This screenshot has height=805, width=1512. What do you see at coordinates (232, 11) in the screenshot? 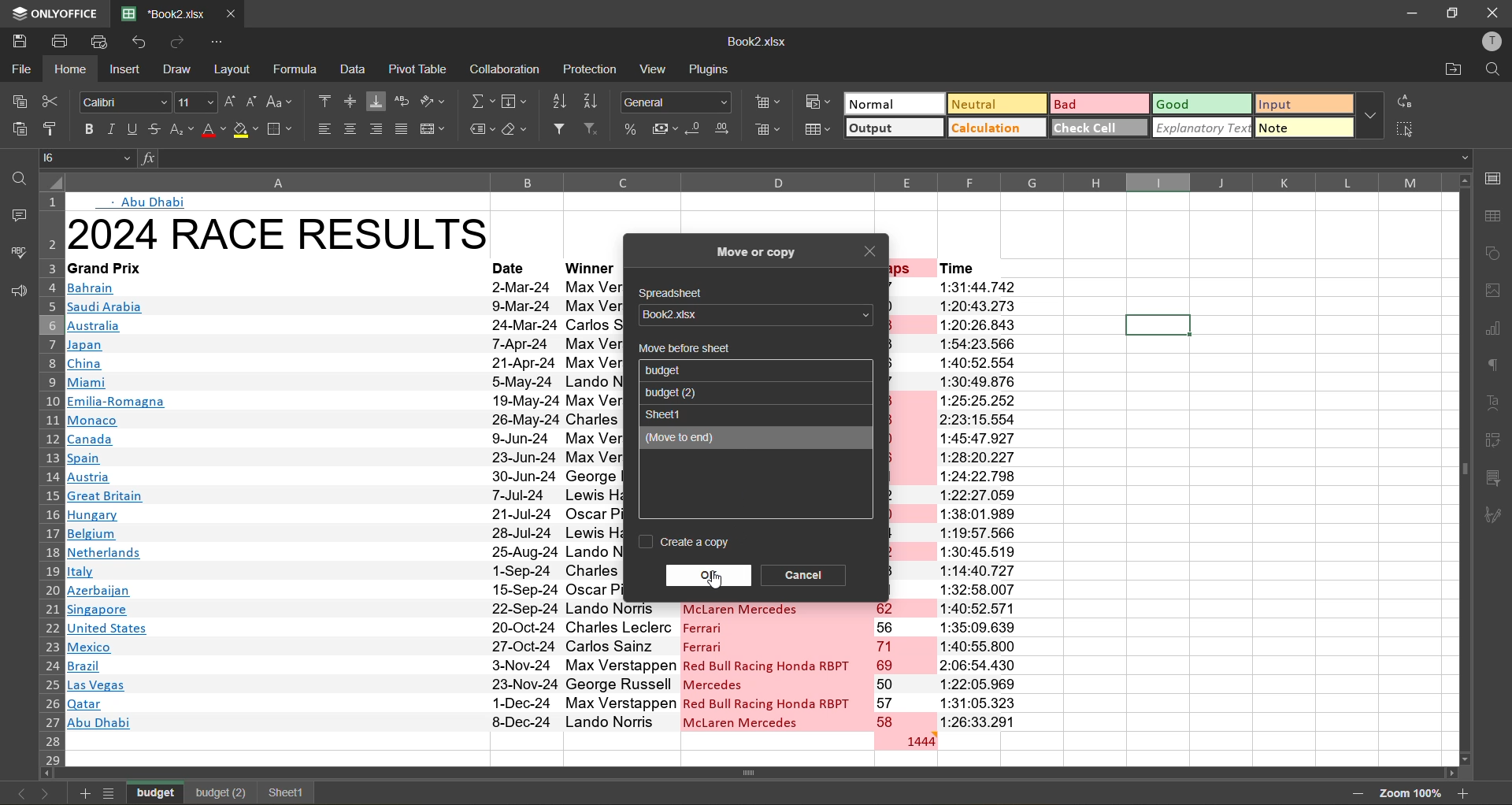
I see `close tab` at bounding box center [232, 11].